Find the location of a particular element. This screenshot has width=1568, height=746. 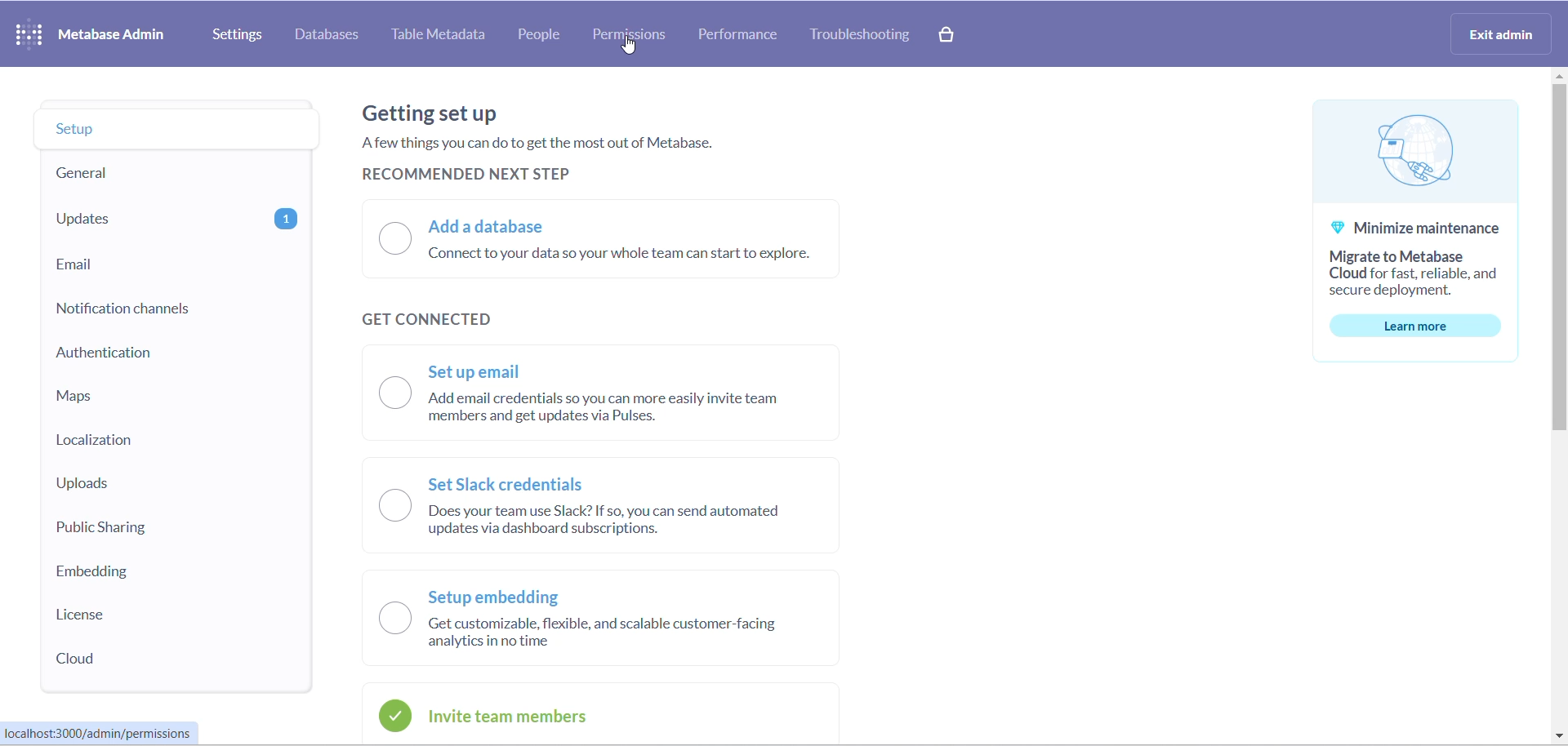

URL is located at coordinates (105, 734).